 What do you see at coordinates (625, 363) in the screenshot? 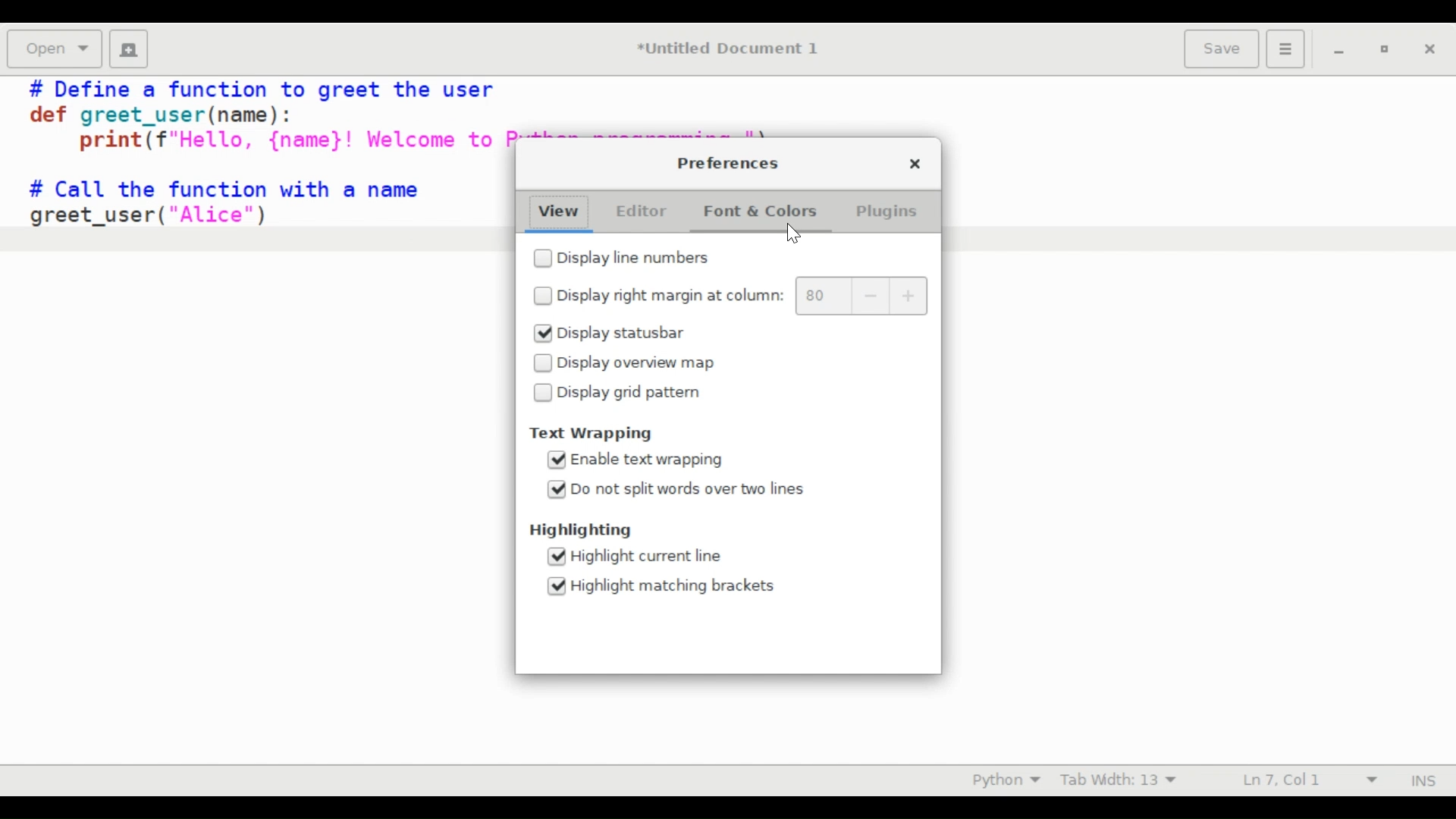
I see `(un)select Display overview map` at bounding box center [625, 363].